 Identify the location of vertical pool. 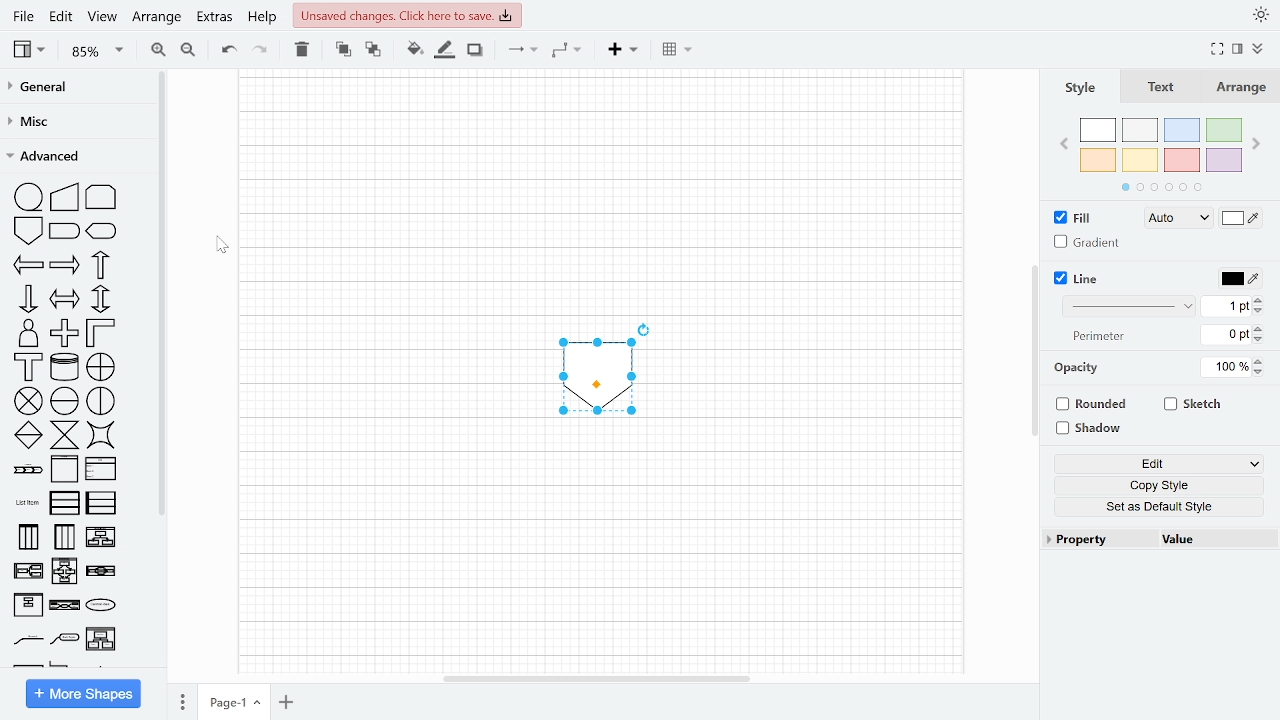
(27, 537).